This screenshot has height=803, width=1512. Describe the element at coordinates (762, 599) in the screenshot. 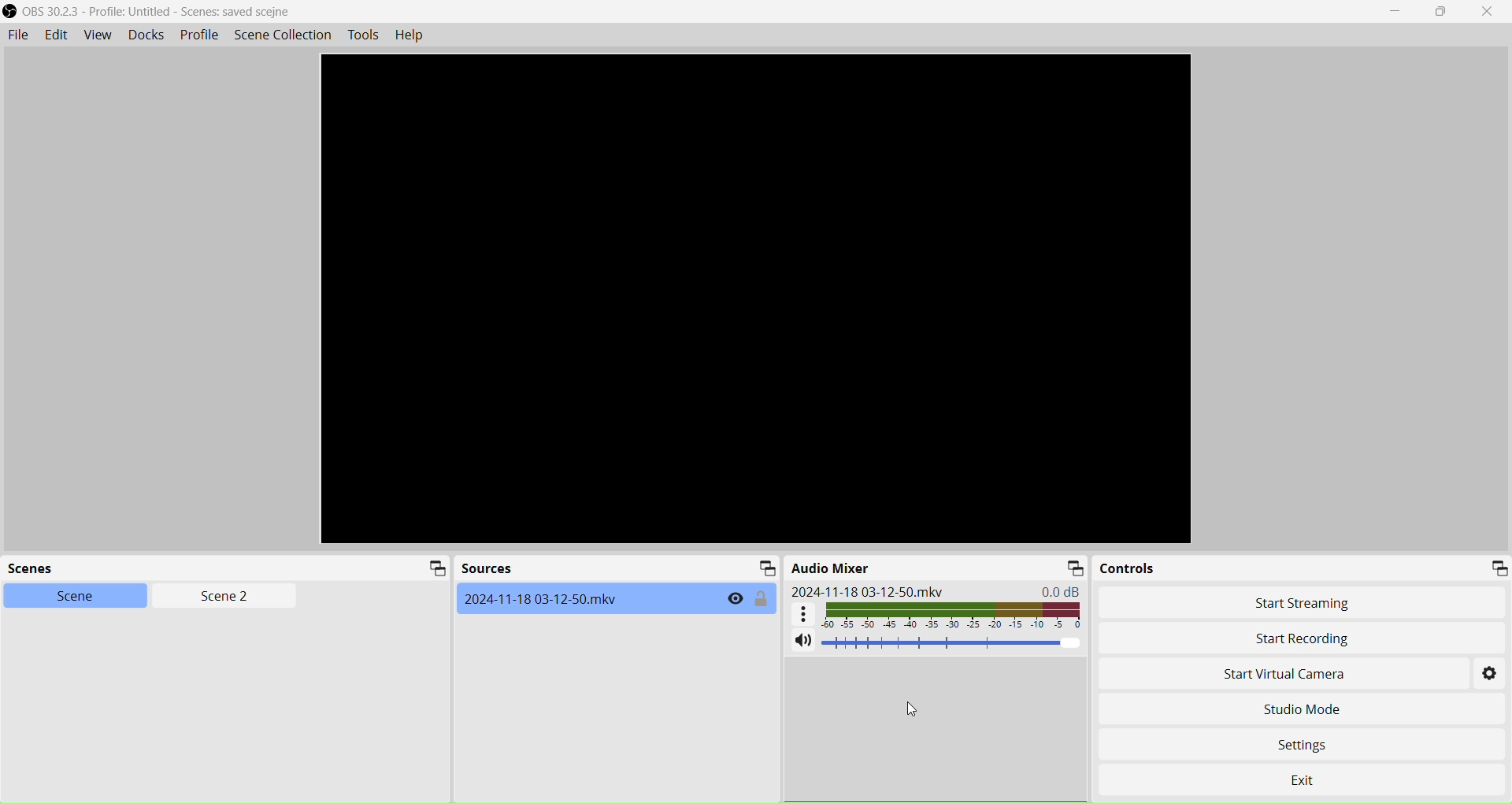

I see `Toggle Lock` at that location.